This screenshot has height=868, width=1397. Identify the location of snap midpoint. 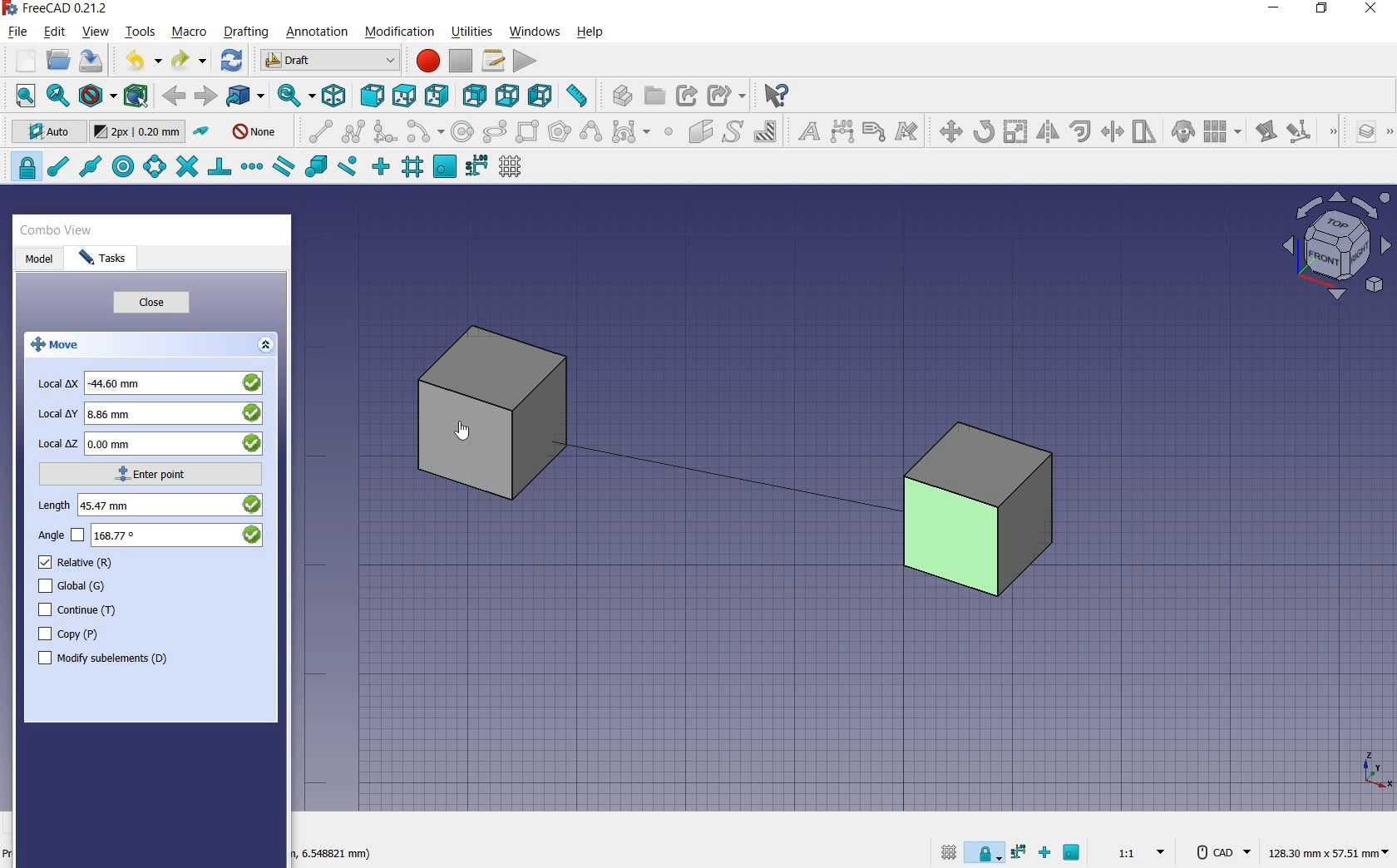
(91, 167).